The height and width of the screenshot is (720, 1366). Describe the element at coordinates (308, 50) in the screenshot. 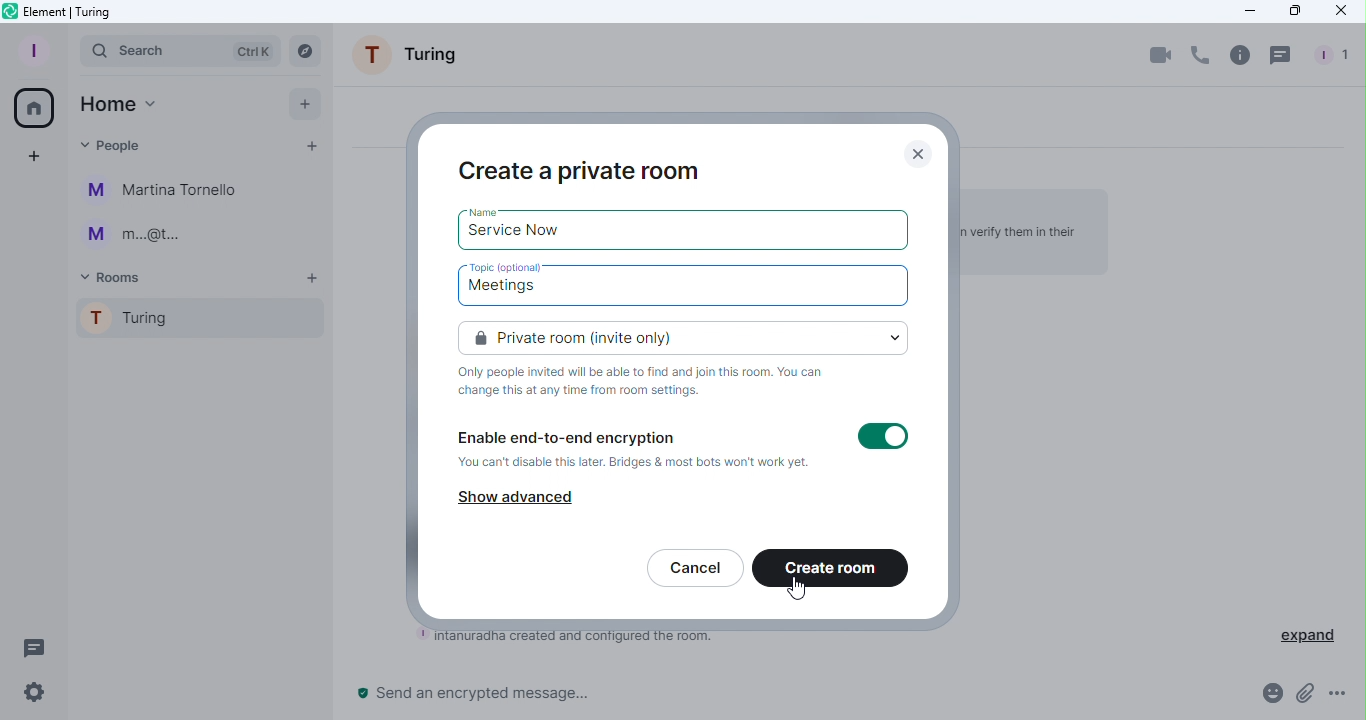

I see `Search rooms` at that location.